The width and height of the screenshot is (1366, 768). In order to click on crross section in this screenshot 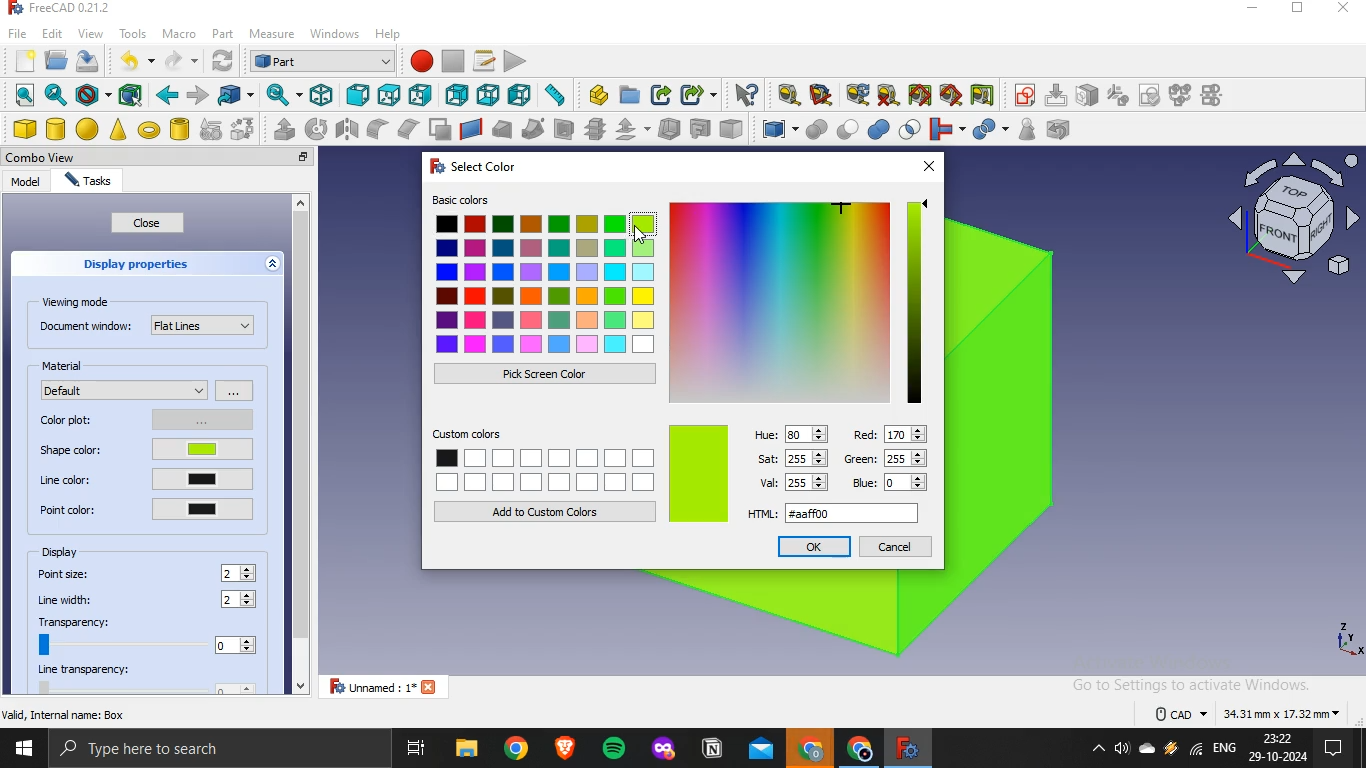, I will do `click(595, 128)`.